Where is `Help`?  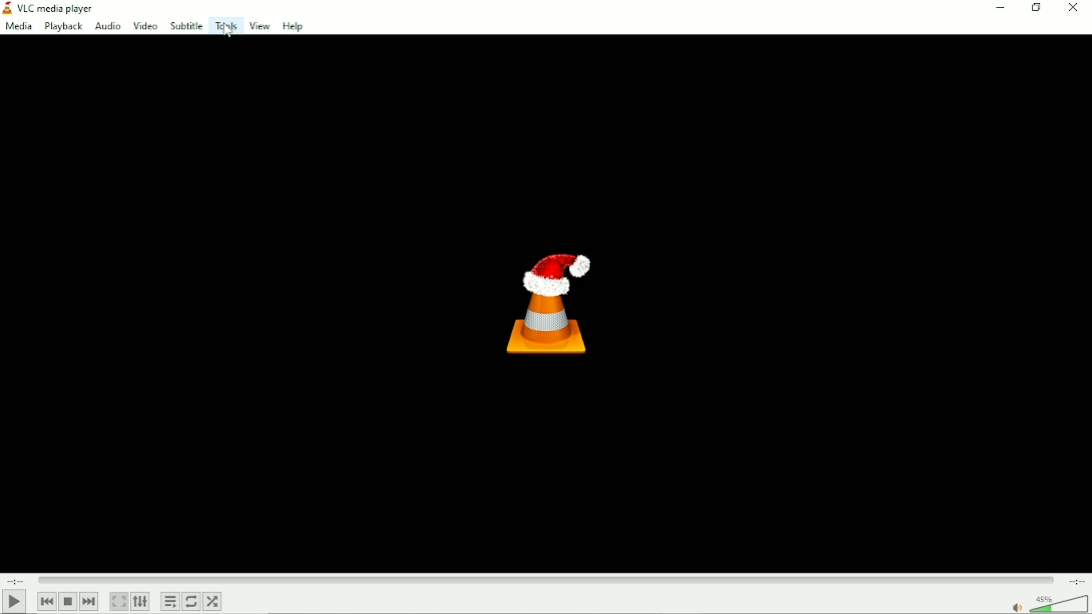
Help is located at coordinates (295, 26).